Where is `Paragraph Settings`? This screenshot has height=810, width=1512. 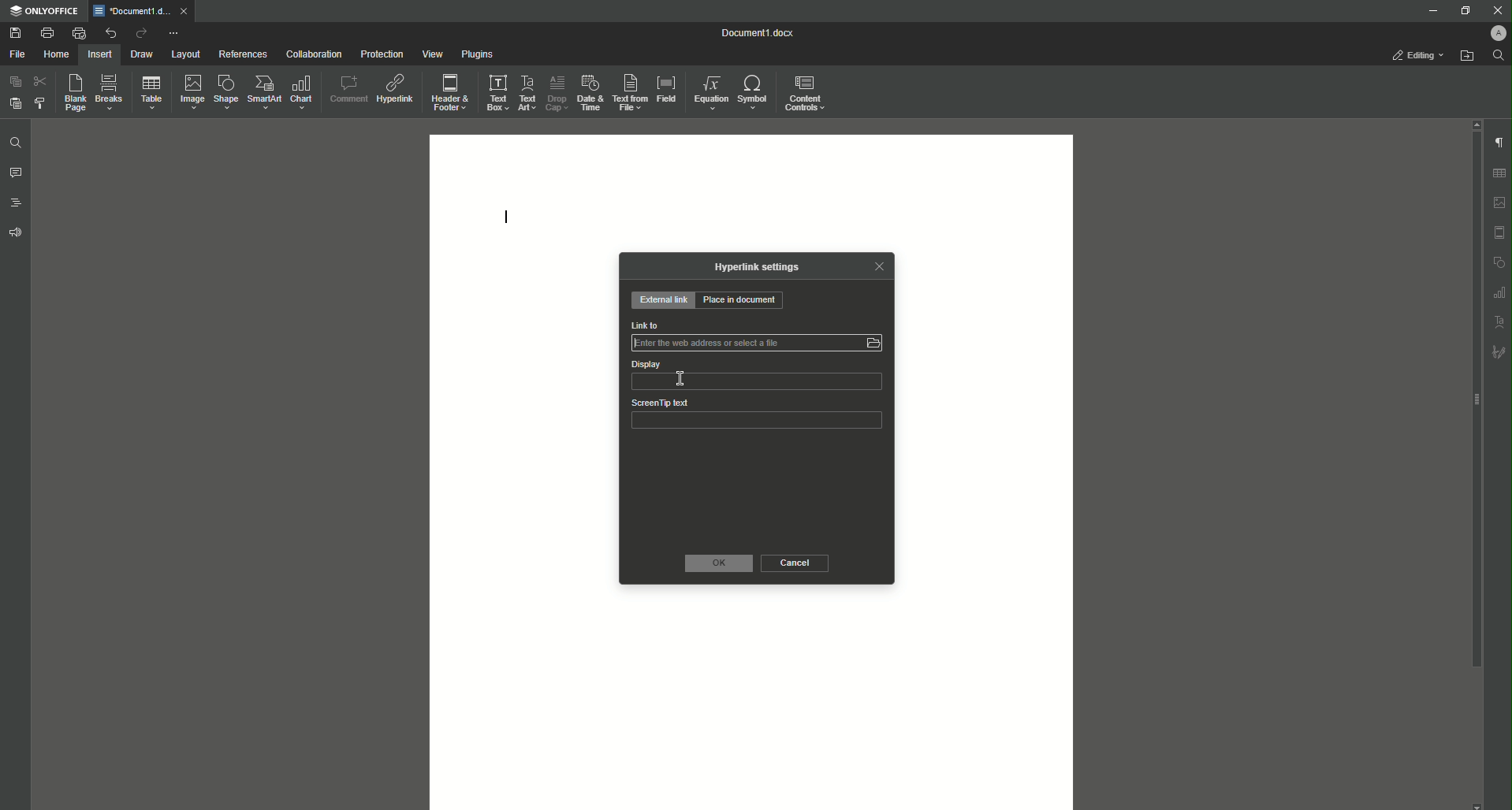
Paragraph Settings is located at coordinates (1499, 143).